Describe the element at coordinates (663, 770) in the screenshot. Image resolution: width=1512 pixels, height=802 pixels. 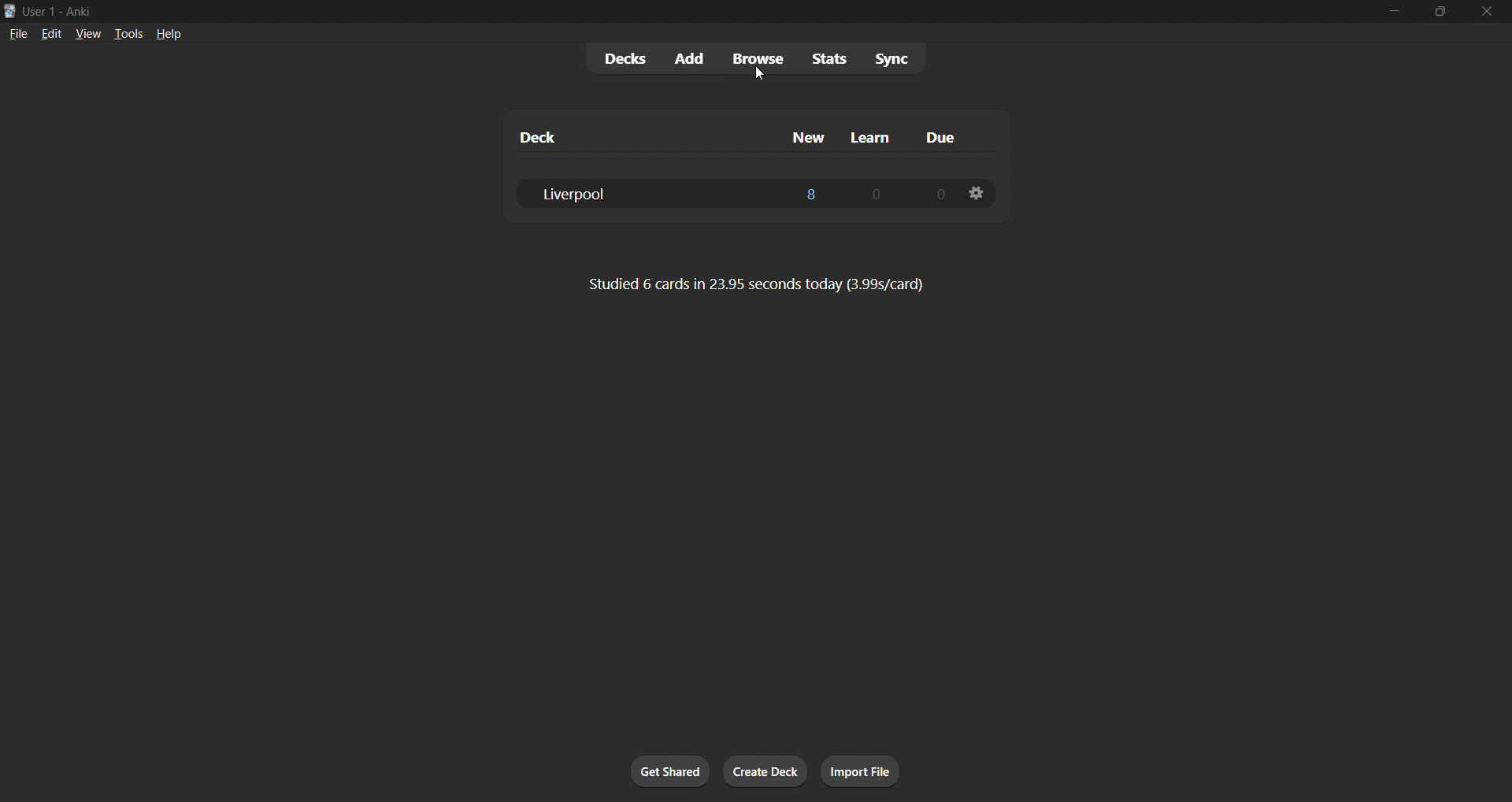
I see `get shared` at that location.